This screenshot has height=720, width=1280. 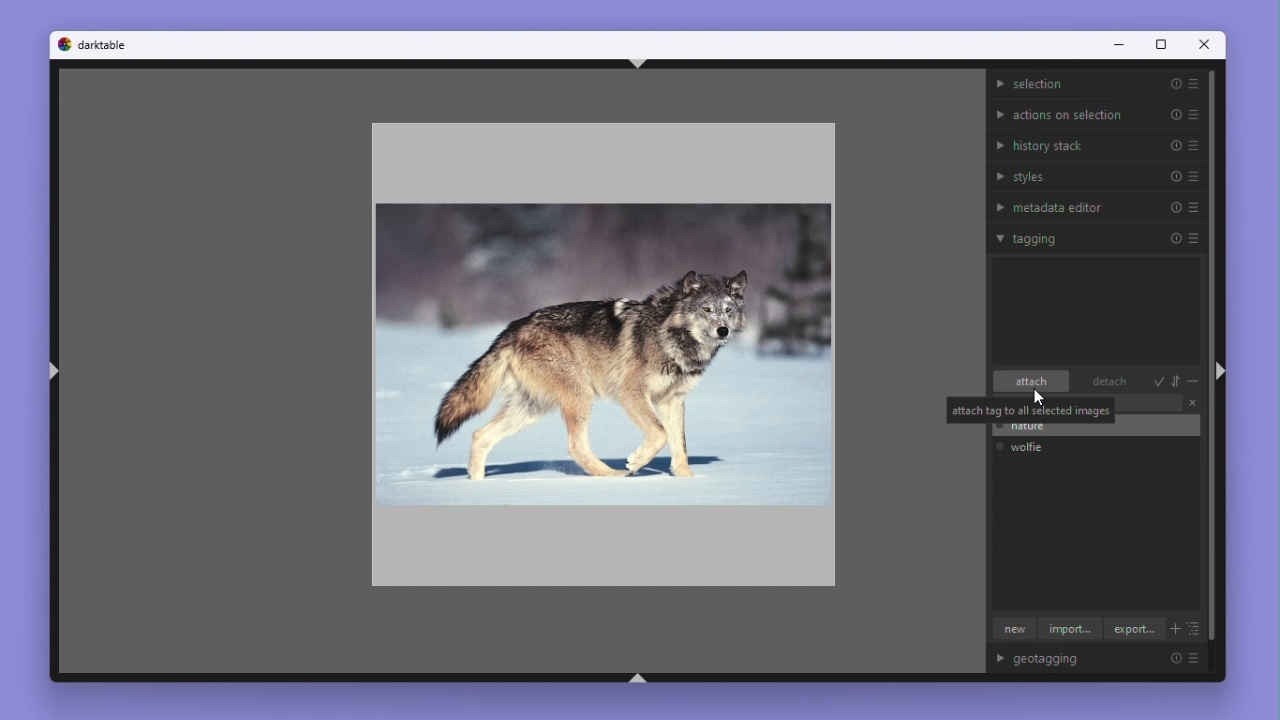 I want to click on save, so click(x=1159, y=382).